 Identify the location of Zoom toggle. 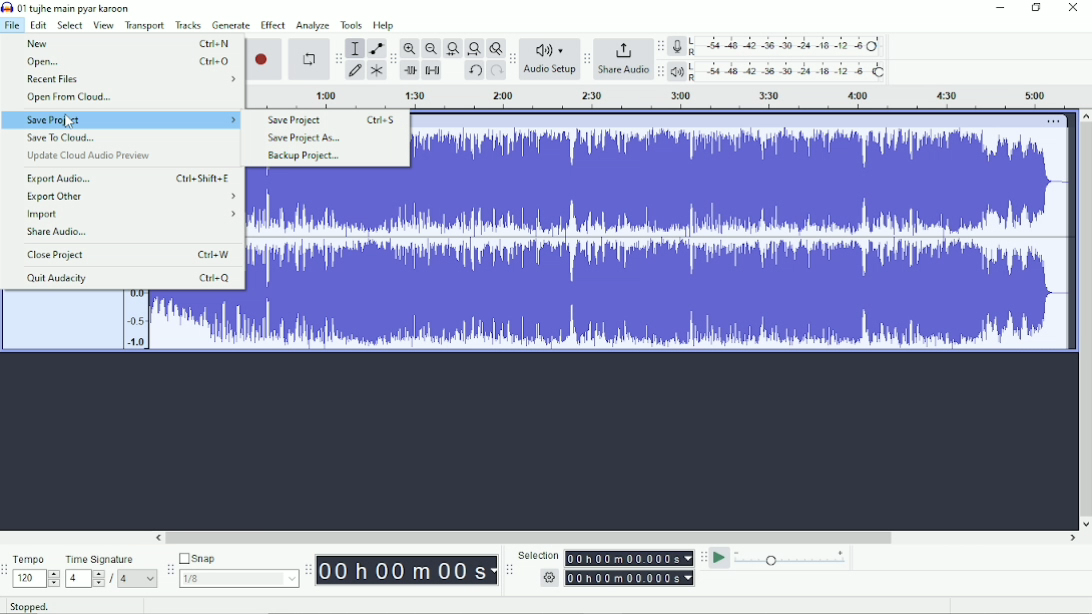
(495, 48).